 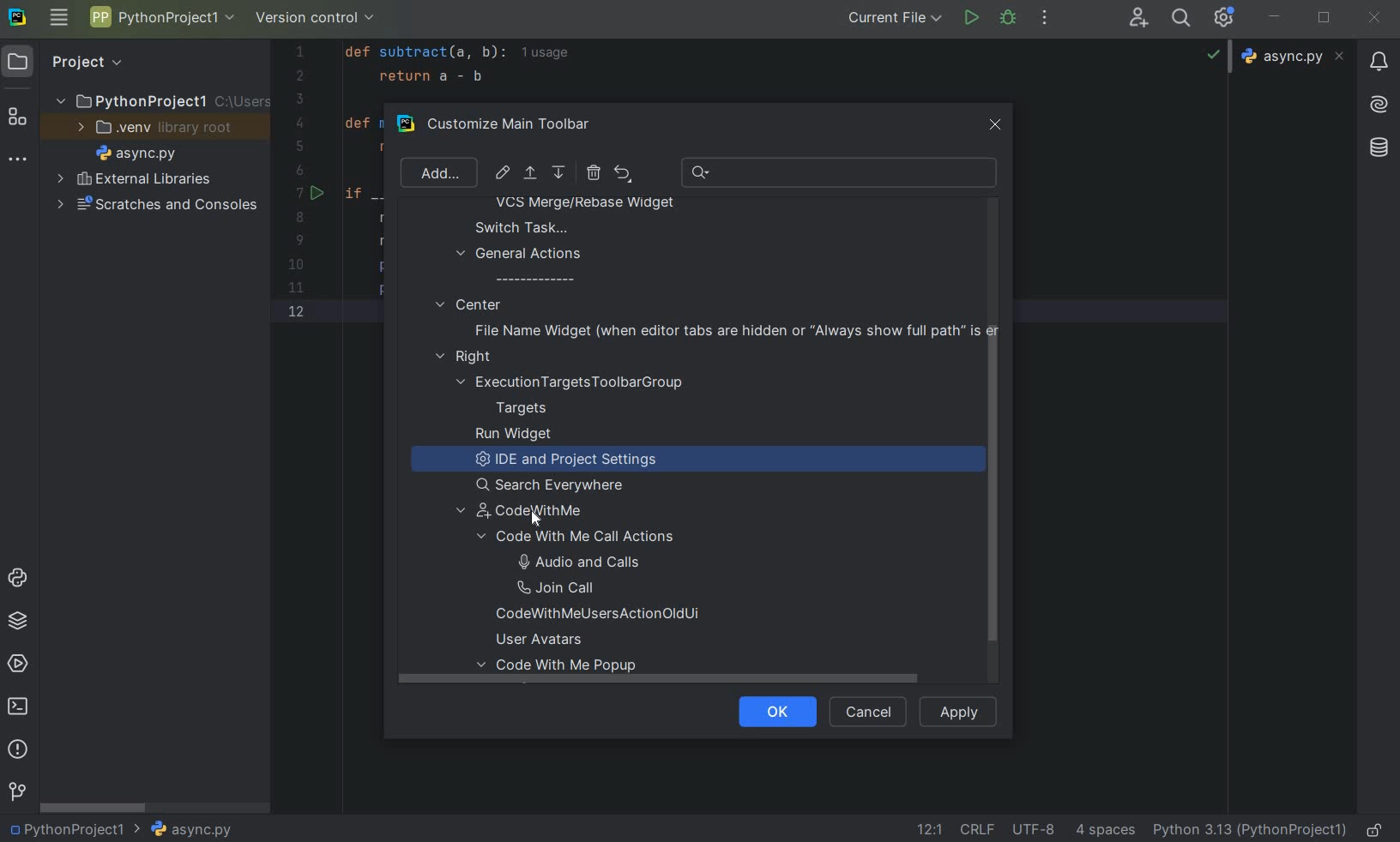 I want to click on , so click(x=1379, y=102).